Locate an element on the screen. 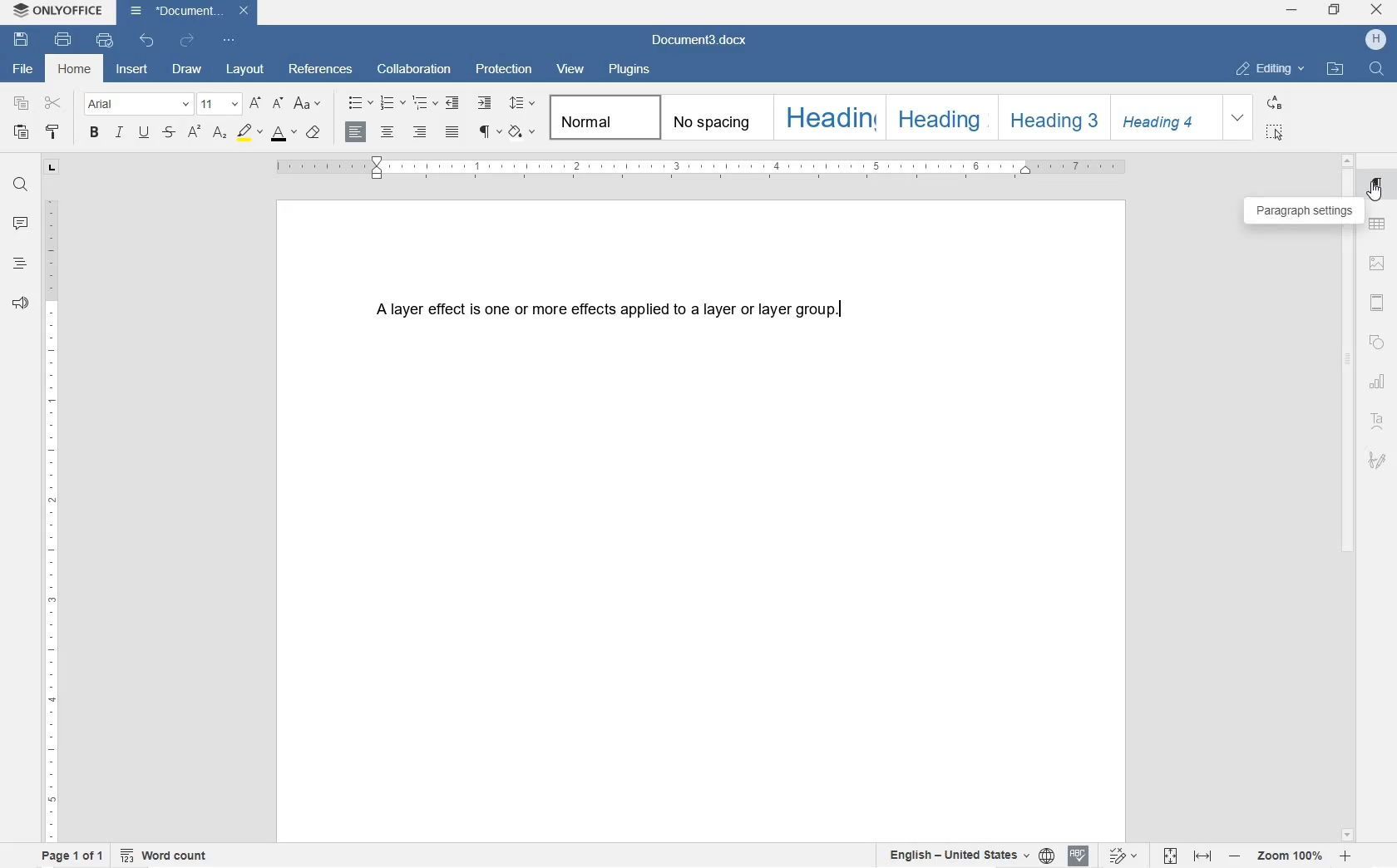 Image resolution: width=1397 pixels, height=868 pixels. COPY STYLE is located at coordinates (53, 133).